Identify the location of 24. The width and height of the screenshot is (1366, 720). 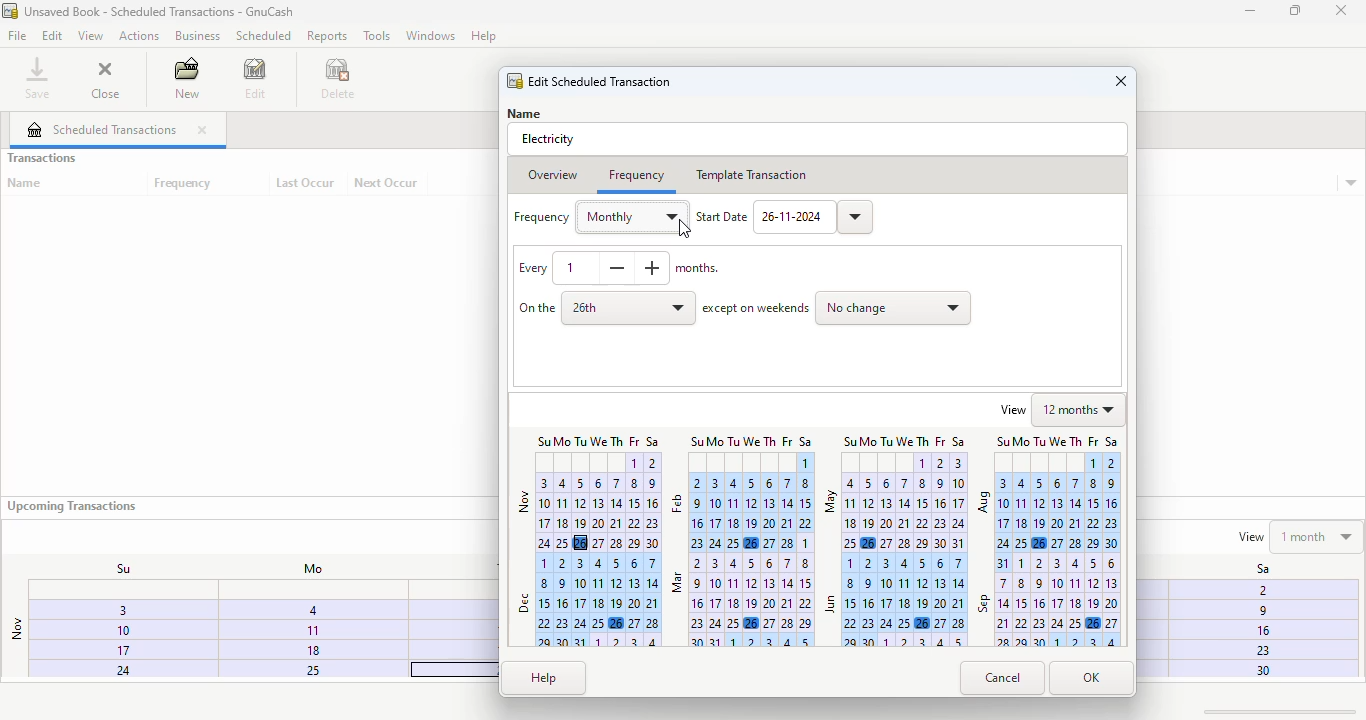
(103, 671).